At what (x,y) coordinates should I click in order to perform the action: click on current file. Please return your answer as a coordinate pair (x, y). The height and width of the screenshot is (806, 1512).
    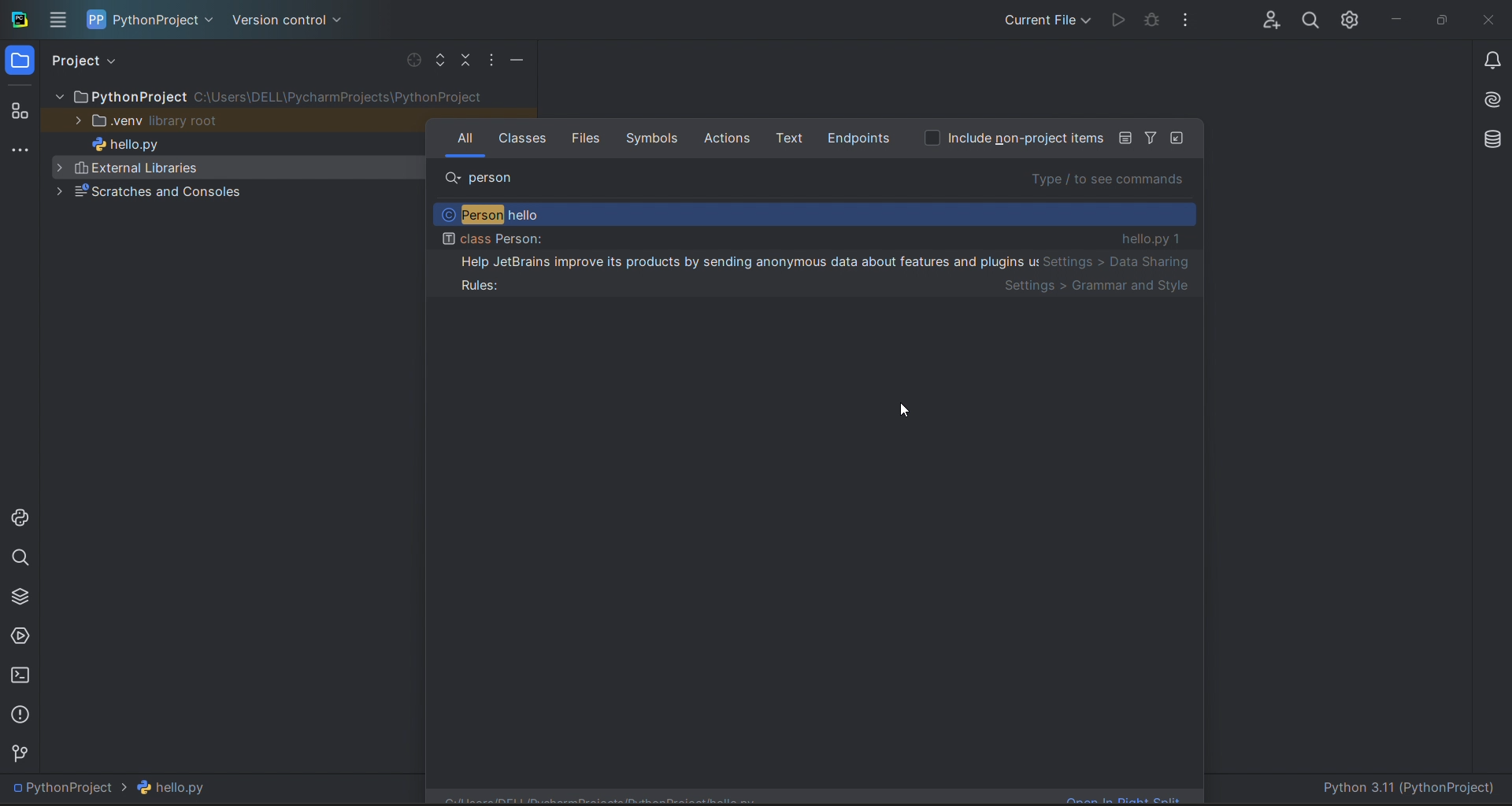
    Looking at the image, I should click on (1044, 20).